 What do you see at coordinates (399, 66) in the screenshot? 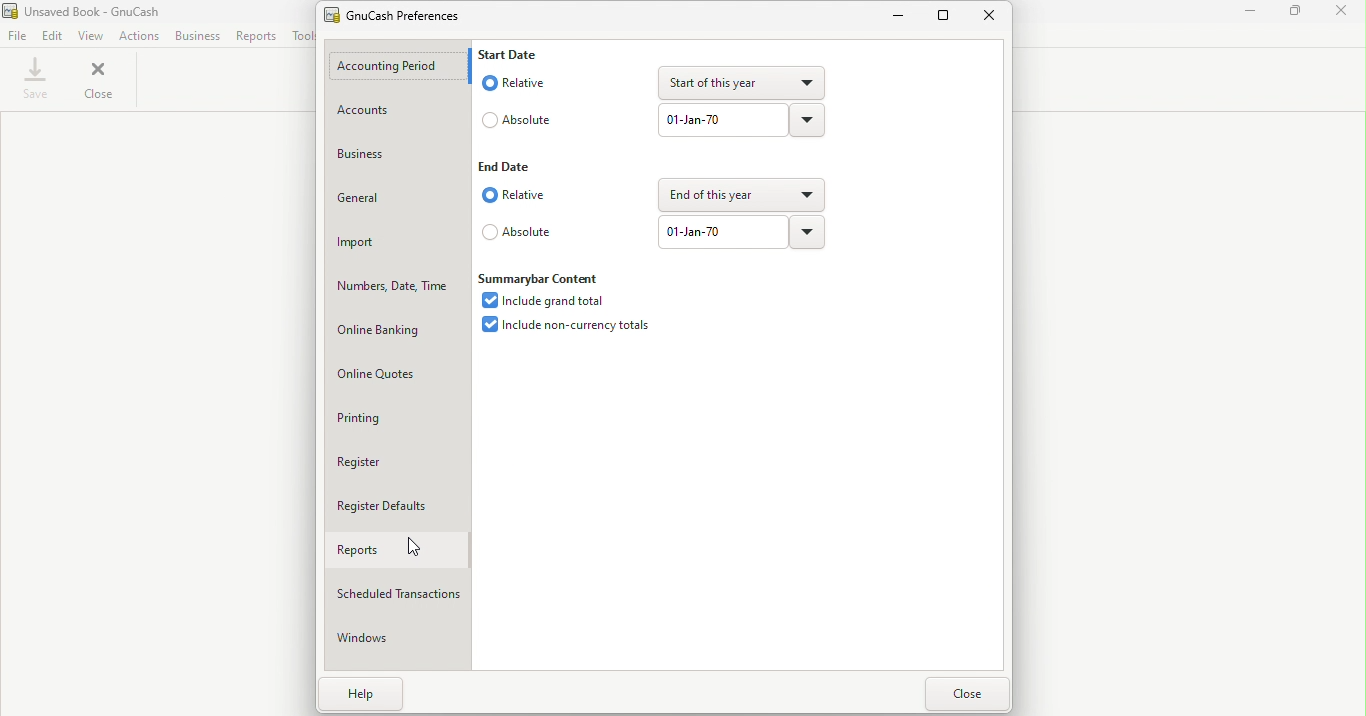
I see `Accounting period` at bounding box center [399, 66].